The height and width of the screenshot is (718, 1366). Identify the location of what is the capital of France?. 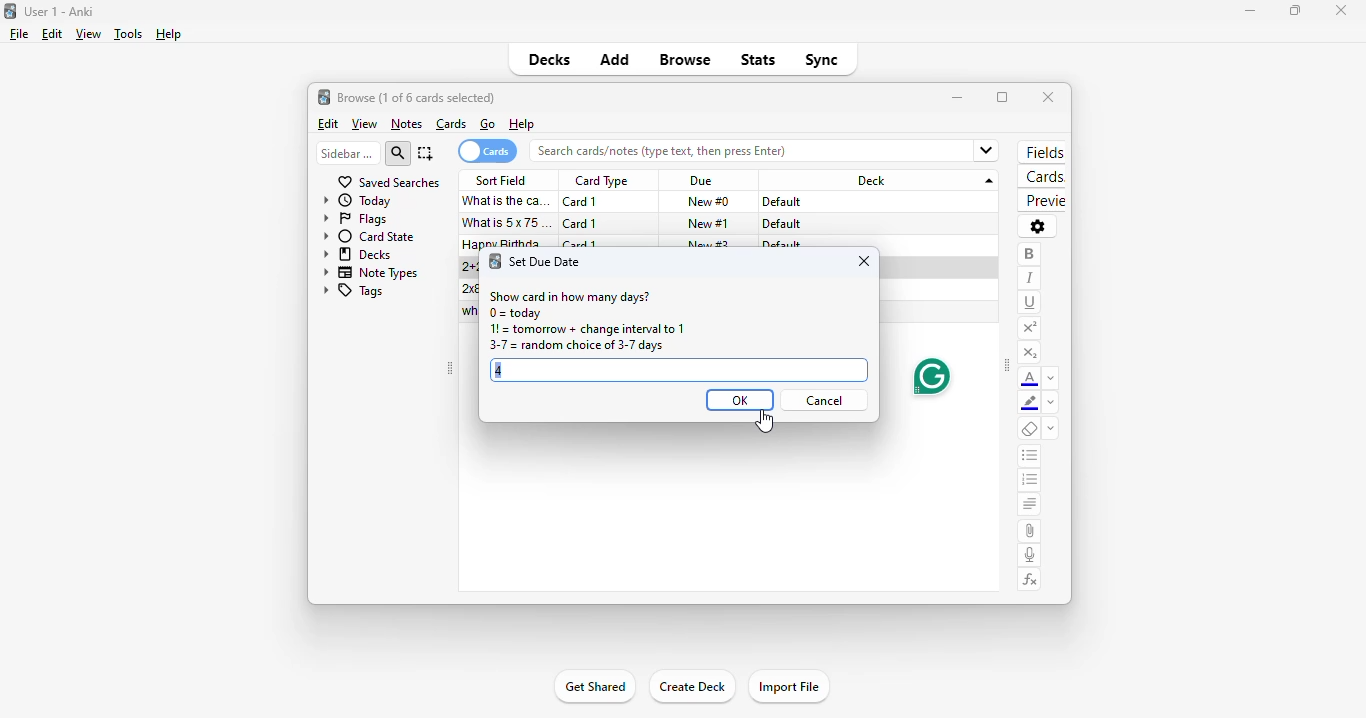
(506, 201).